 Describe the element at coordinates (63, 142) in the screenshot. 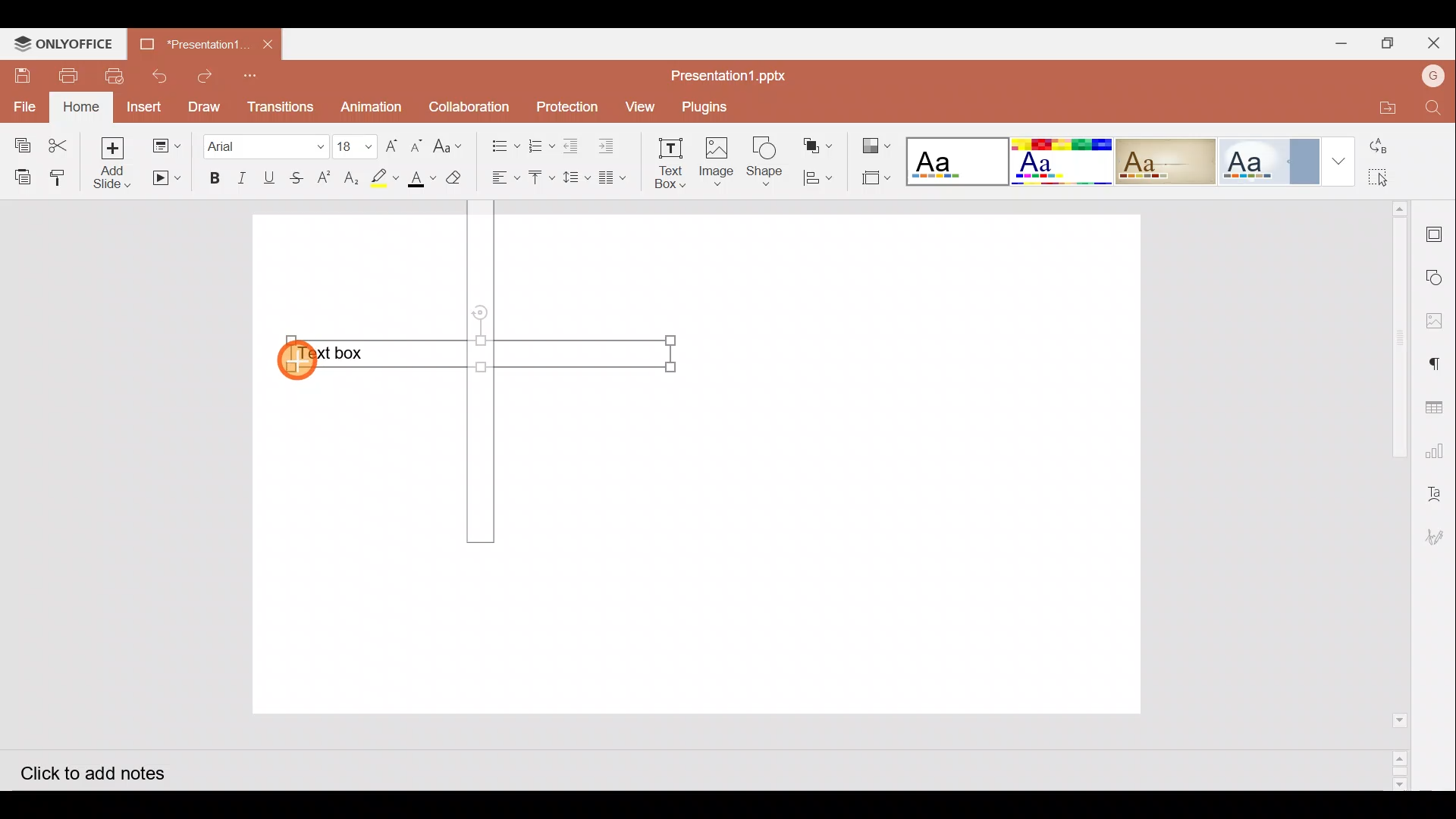

I see `Cut` at that location.